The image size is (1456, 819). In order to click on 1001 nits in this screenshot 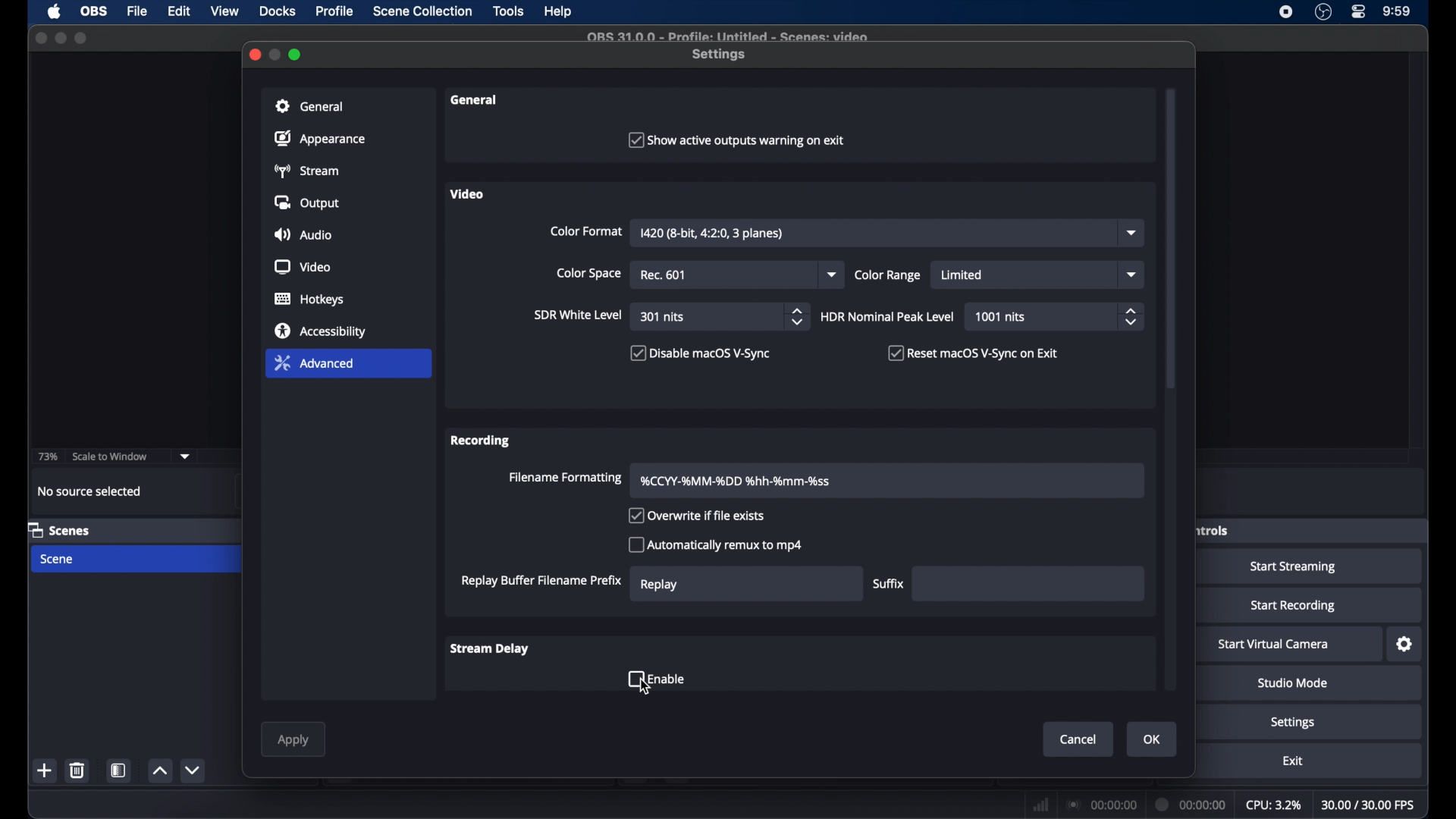, I will do `click(1003, 317)`.